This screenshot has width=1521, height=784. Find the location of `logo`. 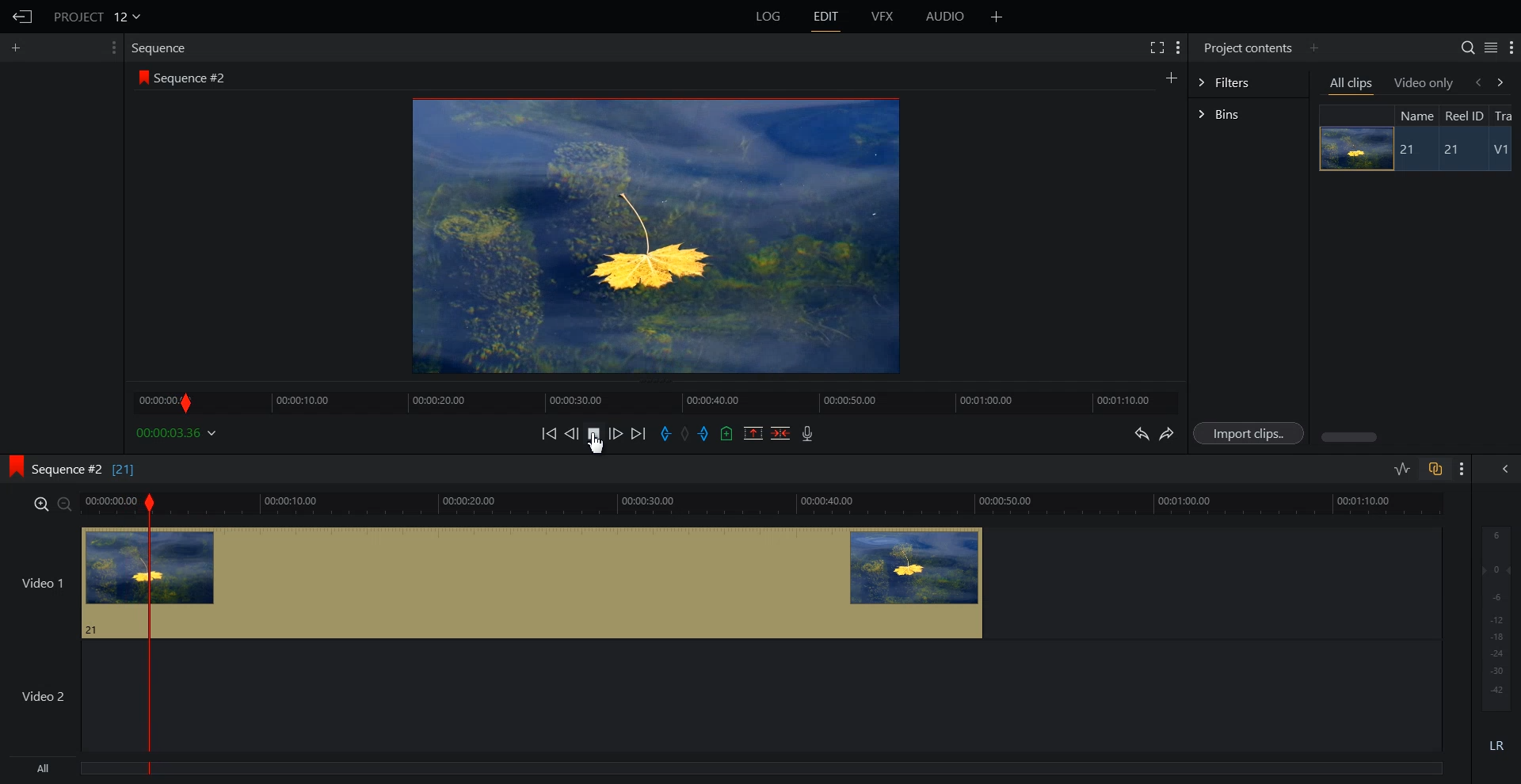

logo is located at coordinates (140, 77).